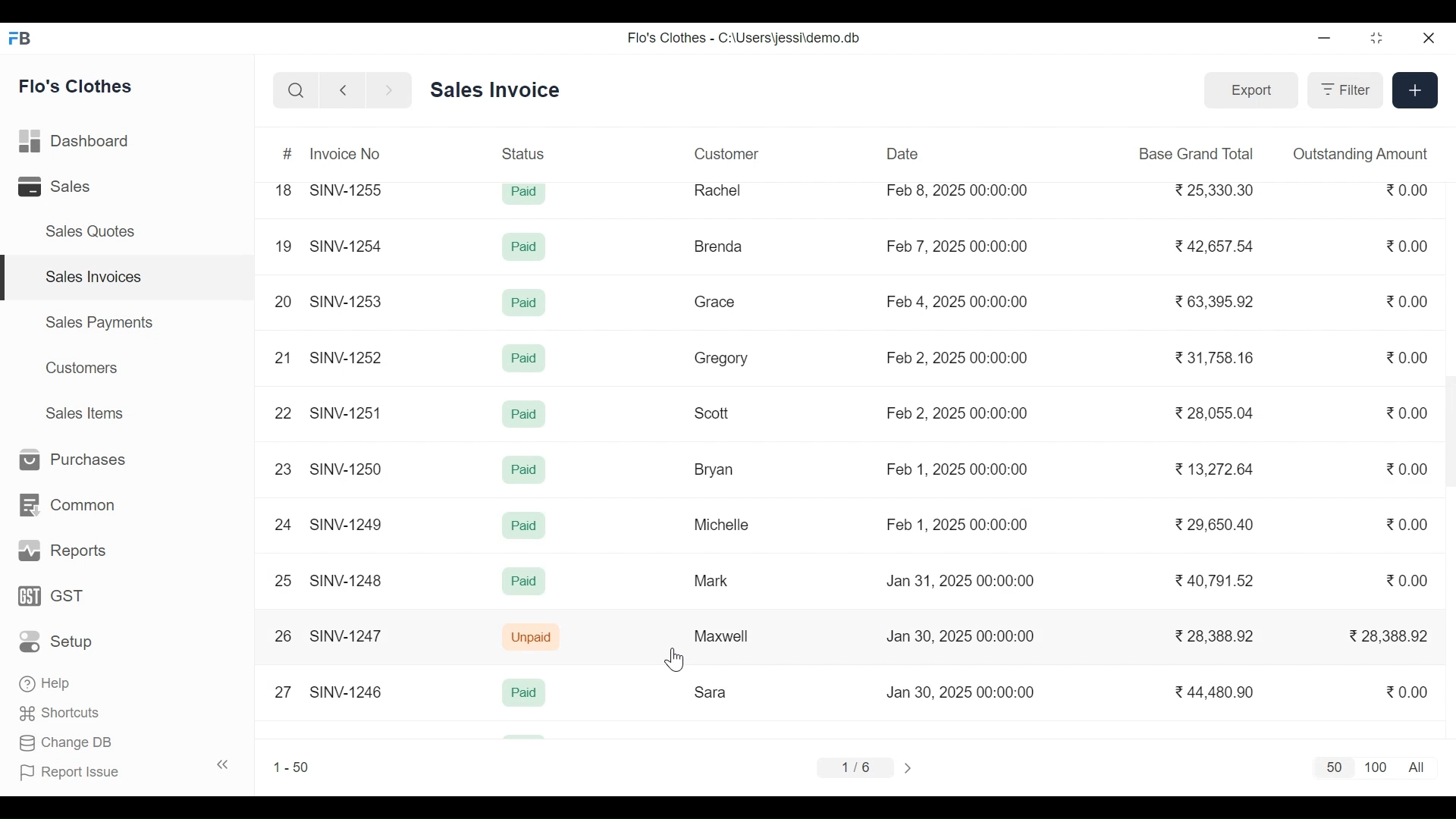 The height and width of the screenshot is (819, 1456). I want to click on Flo's Clothes - C:\Users\jessi\demo.db, so click(746, 37).